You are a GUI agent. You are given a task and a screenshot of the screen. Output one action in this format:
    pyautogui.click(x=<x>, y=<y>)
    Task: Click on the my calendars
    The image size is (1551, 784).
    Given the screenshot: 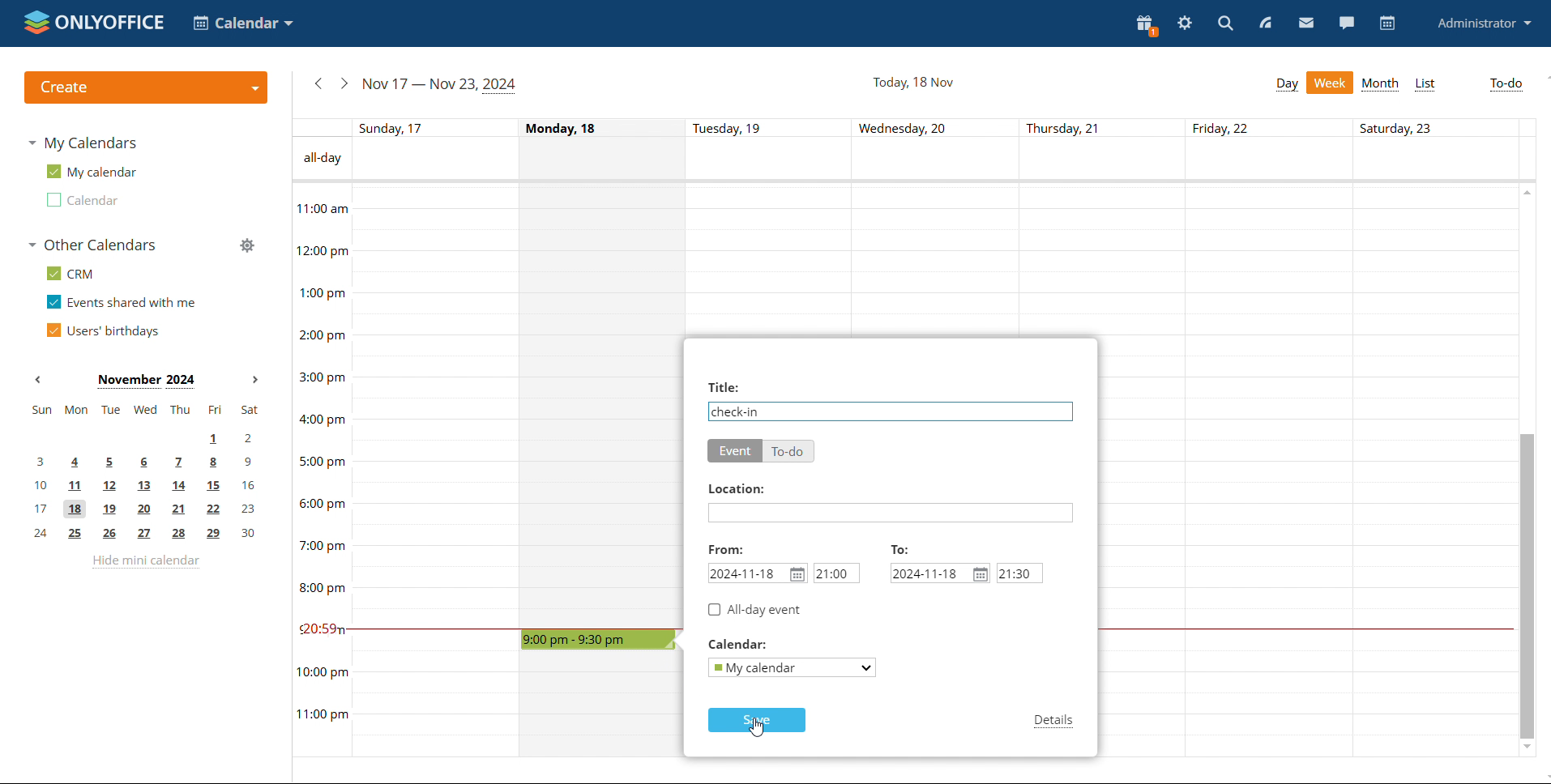 What is the action you would take?
    pyautogui.click(x=82, y=143)
    